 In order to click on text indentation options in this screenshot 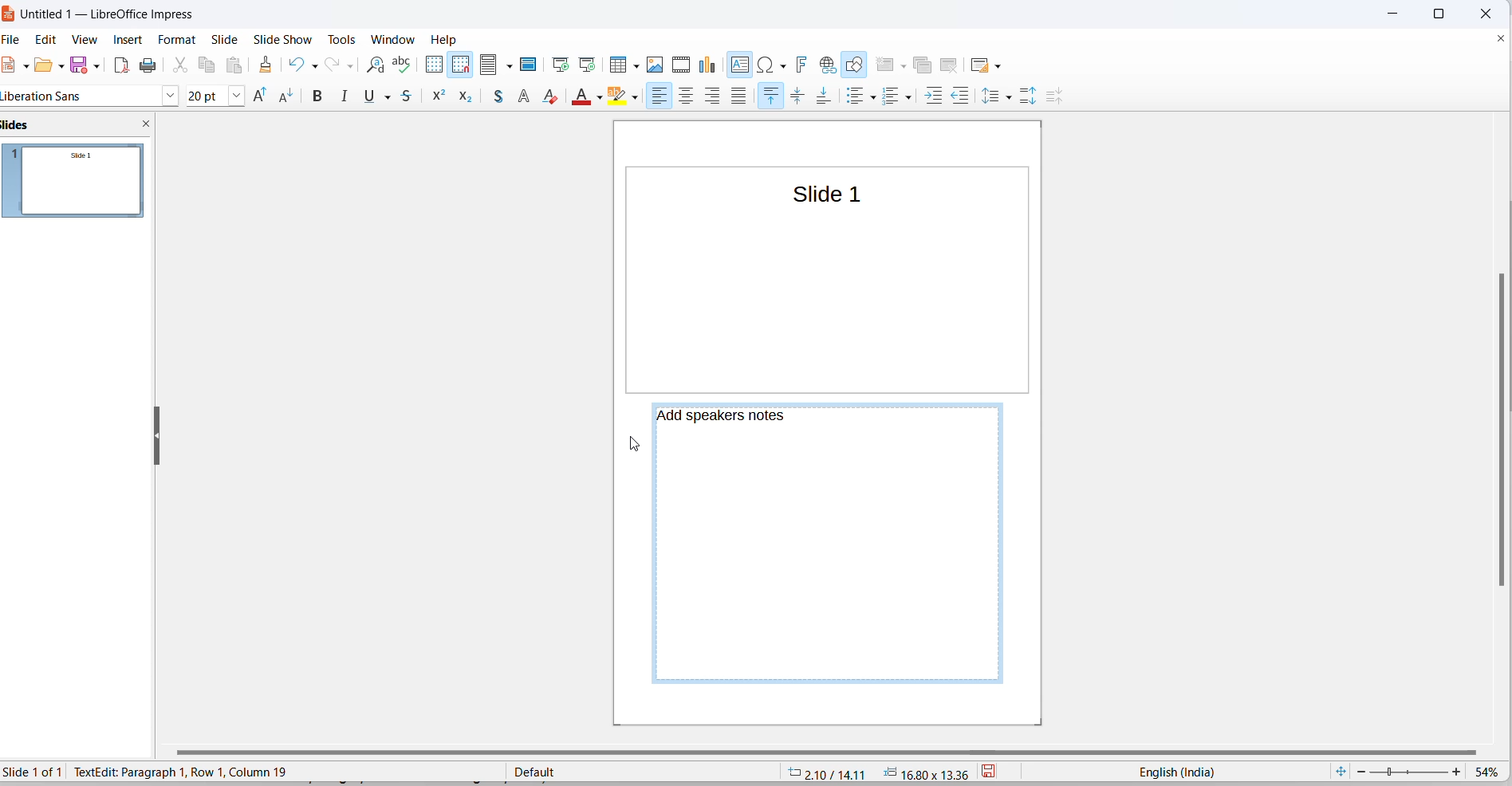, I will do `click(994, 98)`.